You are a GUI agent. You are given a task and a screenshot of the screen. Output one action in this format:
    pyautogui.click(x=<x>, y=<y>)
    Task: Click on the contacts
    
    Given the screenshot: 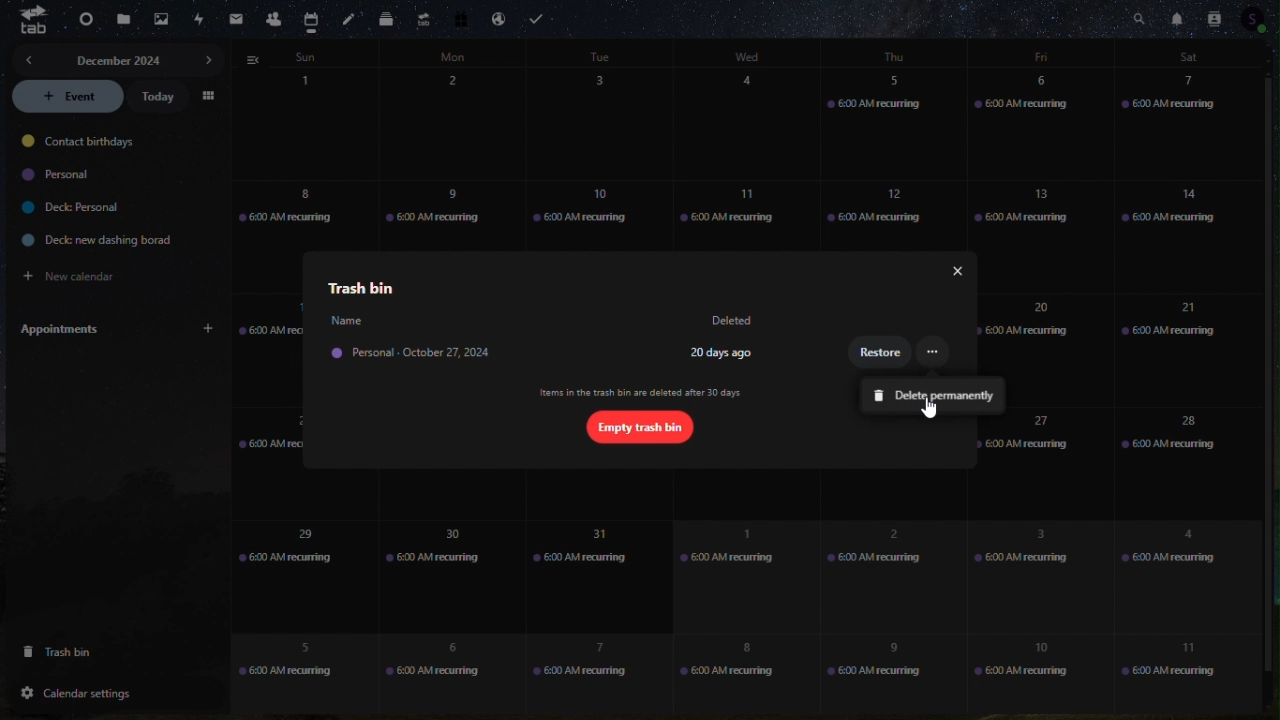 What is the action you would take?
    pyautogui.click(x=1217, y=17)
    